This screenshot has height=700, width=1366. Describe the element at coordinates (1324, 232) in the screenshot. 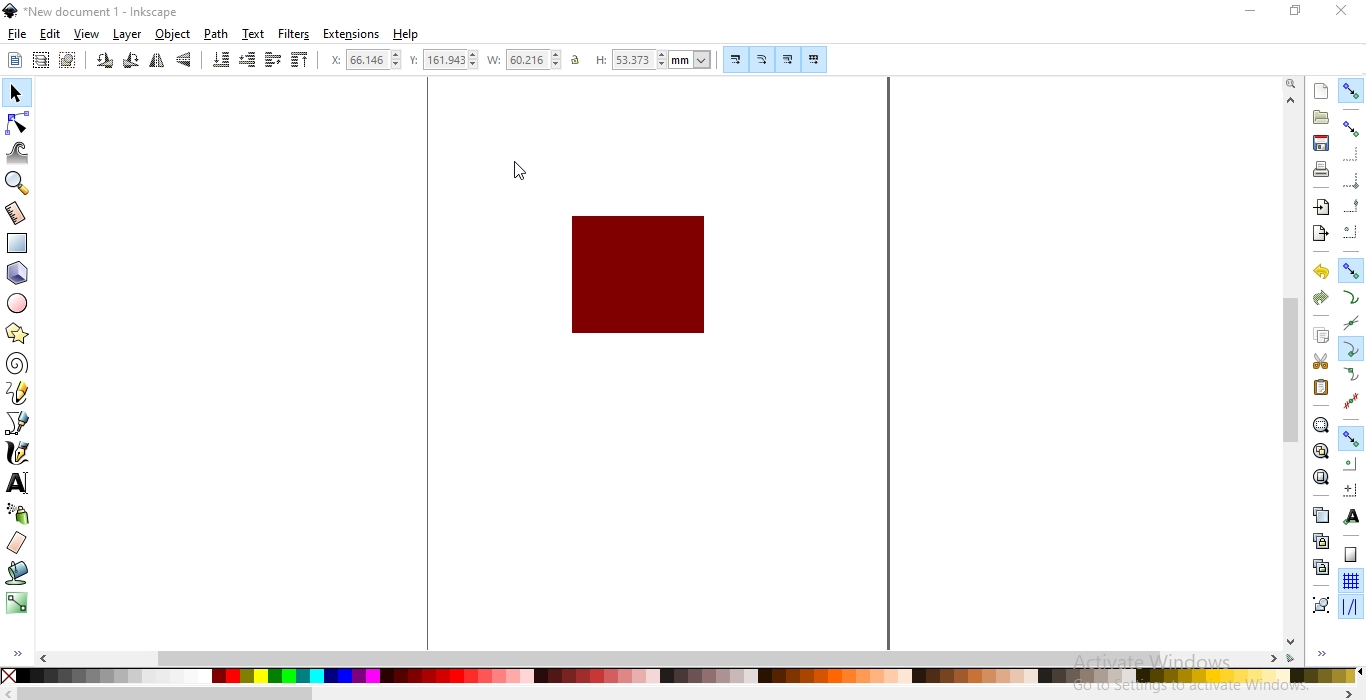

I see `export a document` at that location.